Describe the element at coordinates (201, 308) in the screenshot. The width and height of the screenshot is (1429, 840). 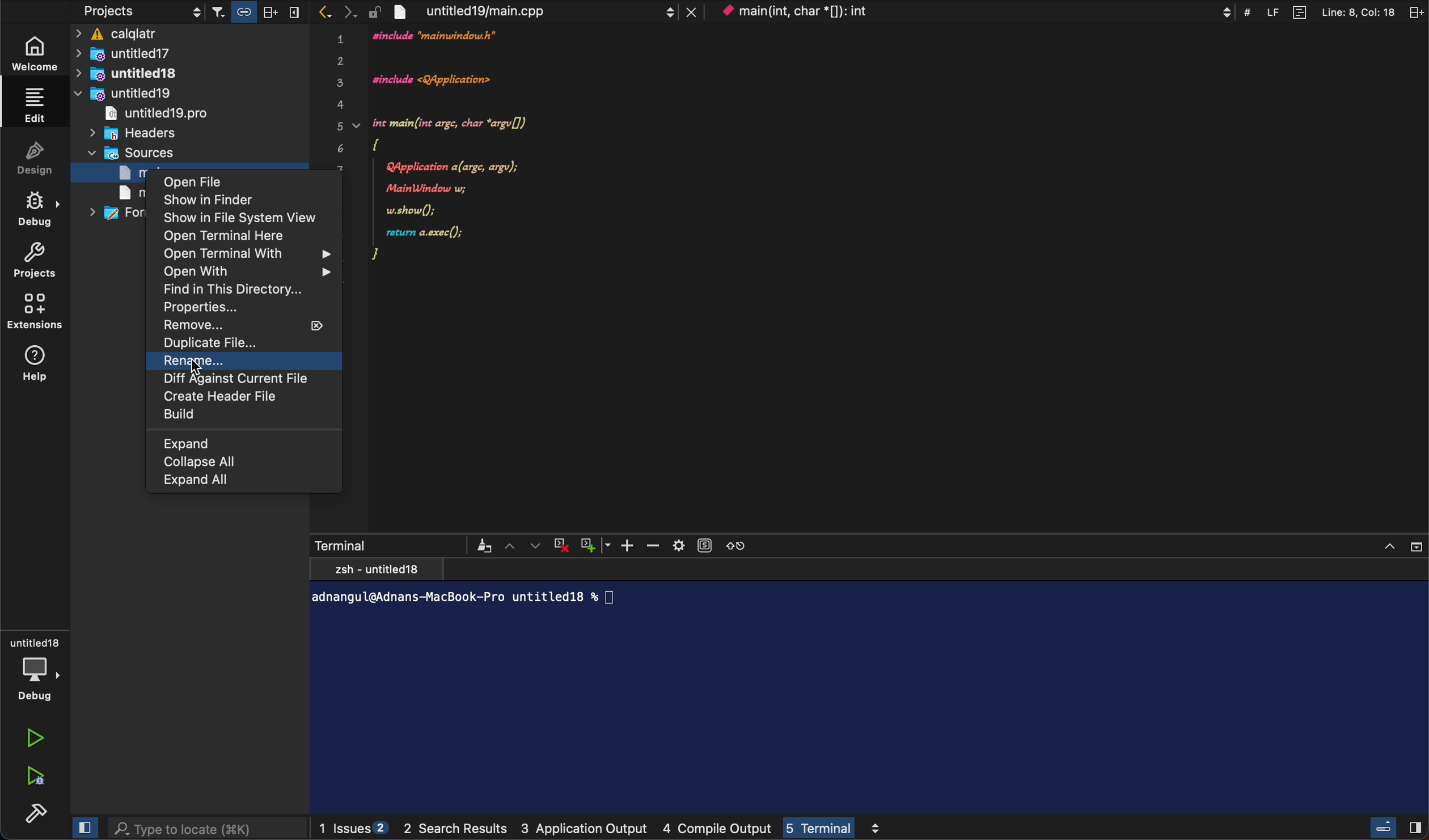
I see `properties` at that location.